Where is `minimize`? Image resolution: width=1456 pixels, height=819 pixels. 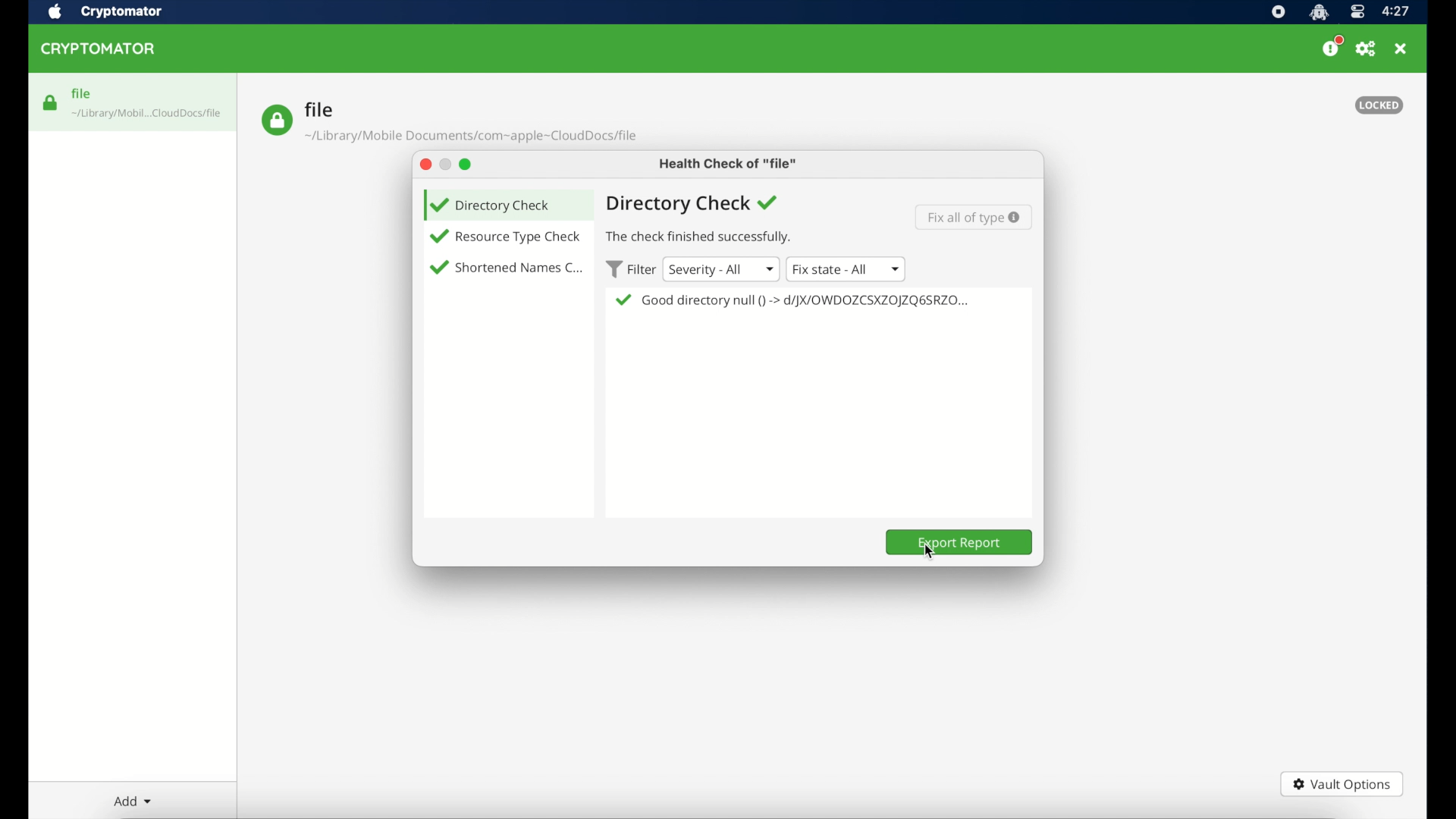 minimize is located at coordinates (444, 164).